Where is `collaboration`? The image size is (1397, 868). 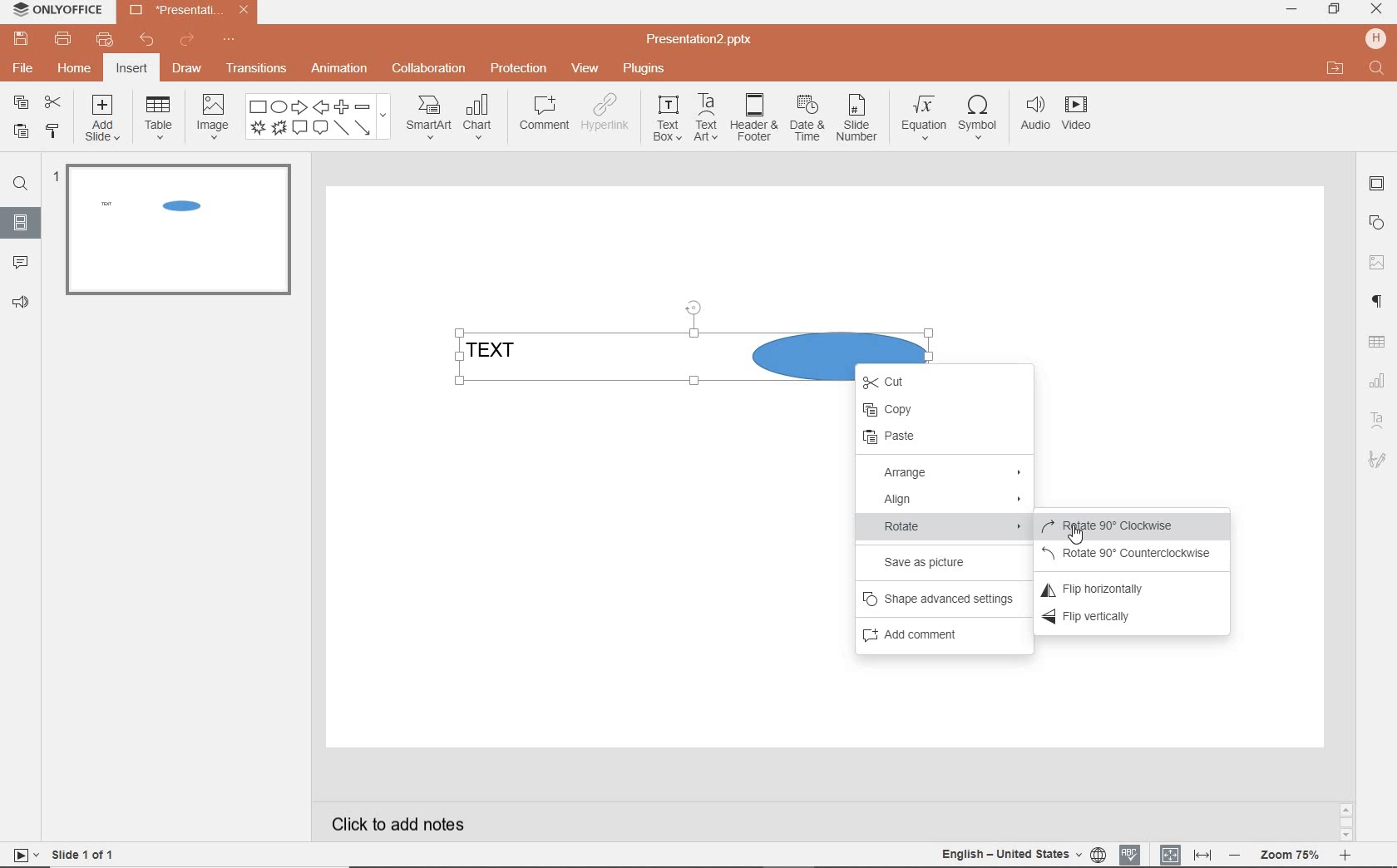 collaboration is located at coordinates (427, 70).